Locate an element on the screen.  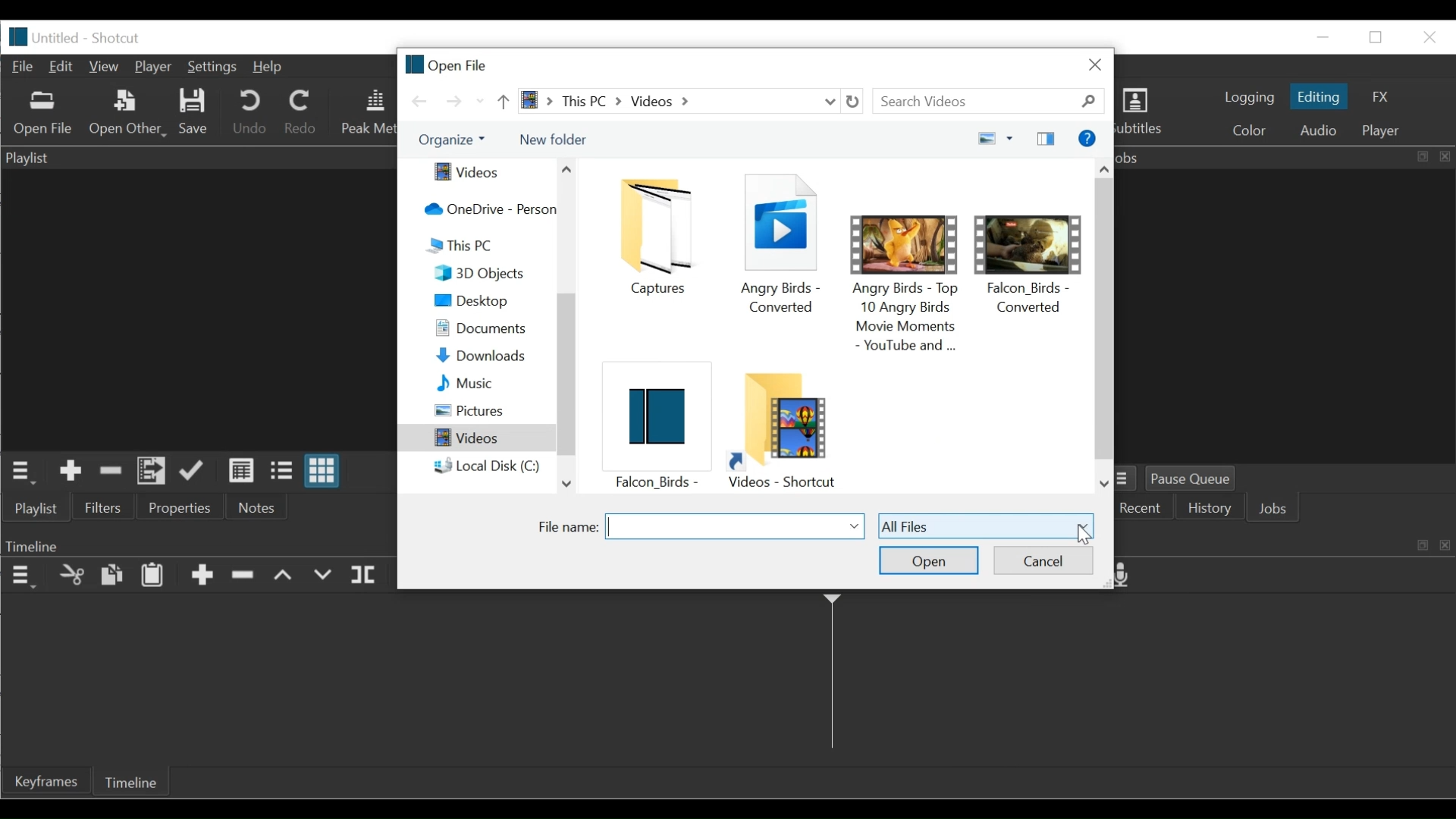
Documents is located at coordinates (491, 330).